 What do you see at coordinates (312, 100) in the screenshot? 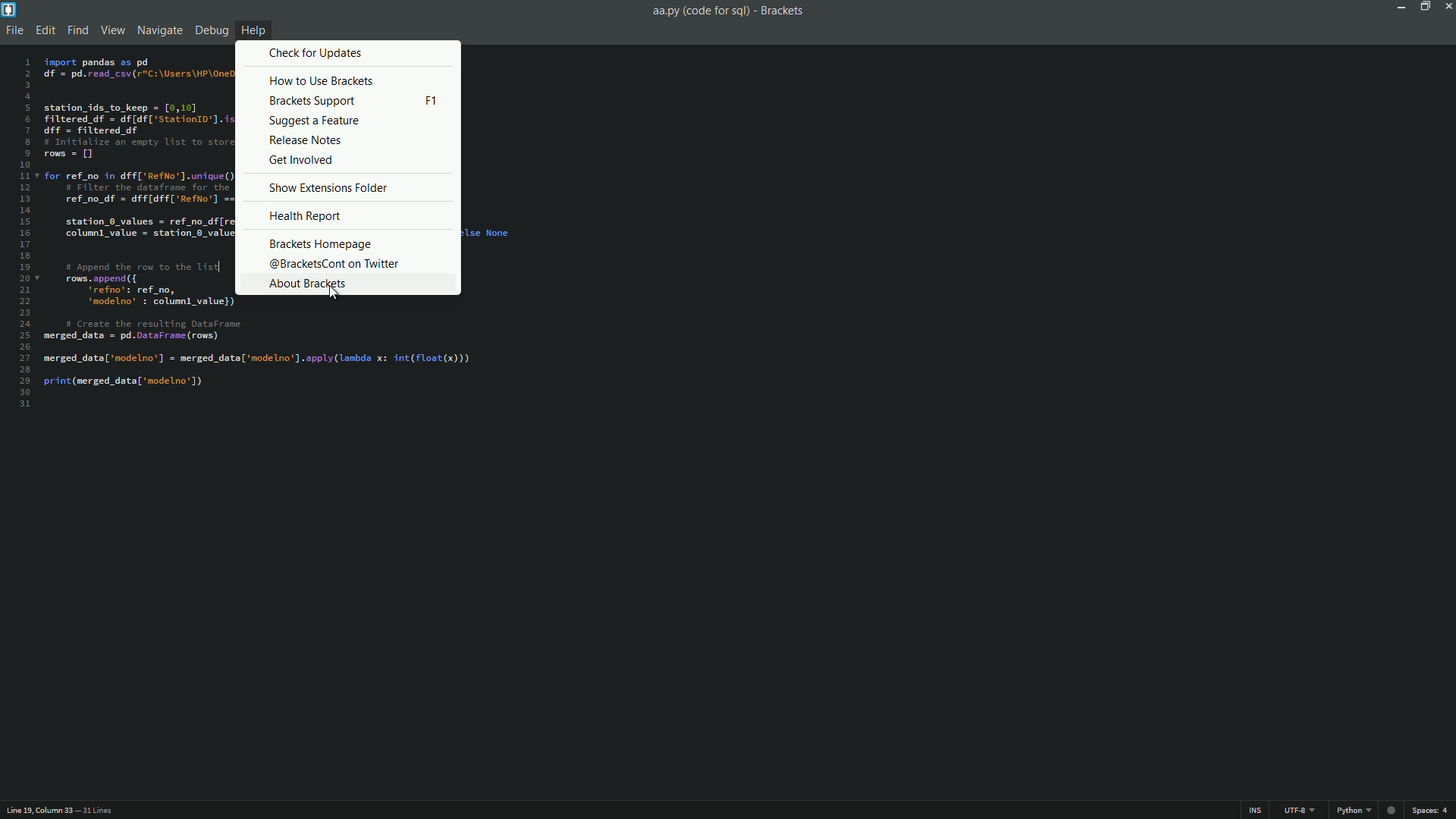
I see `brackets support` at bounding box center [312, 100].